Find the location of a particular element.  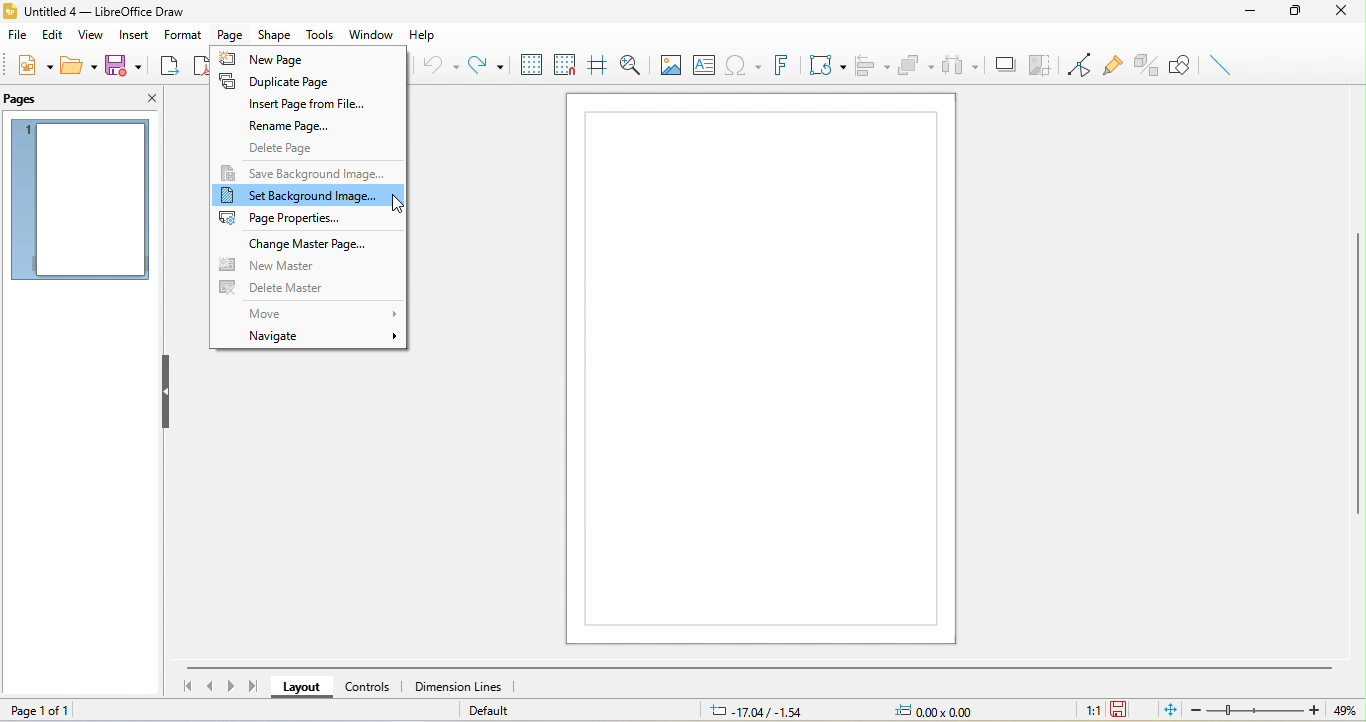

shape is located at coordinates (275, 35).